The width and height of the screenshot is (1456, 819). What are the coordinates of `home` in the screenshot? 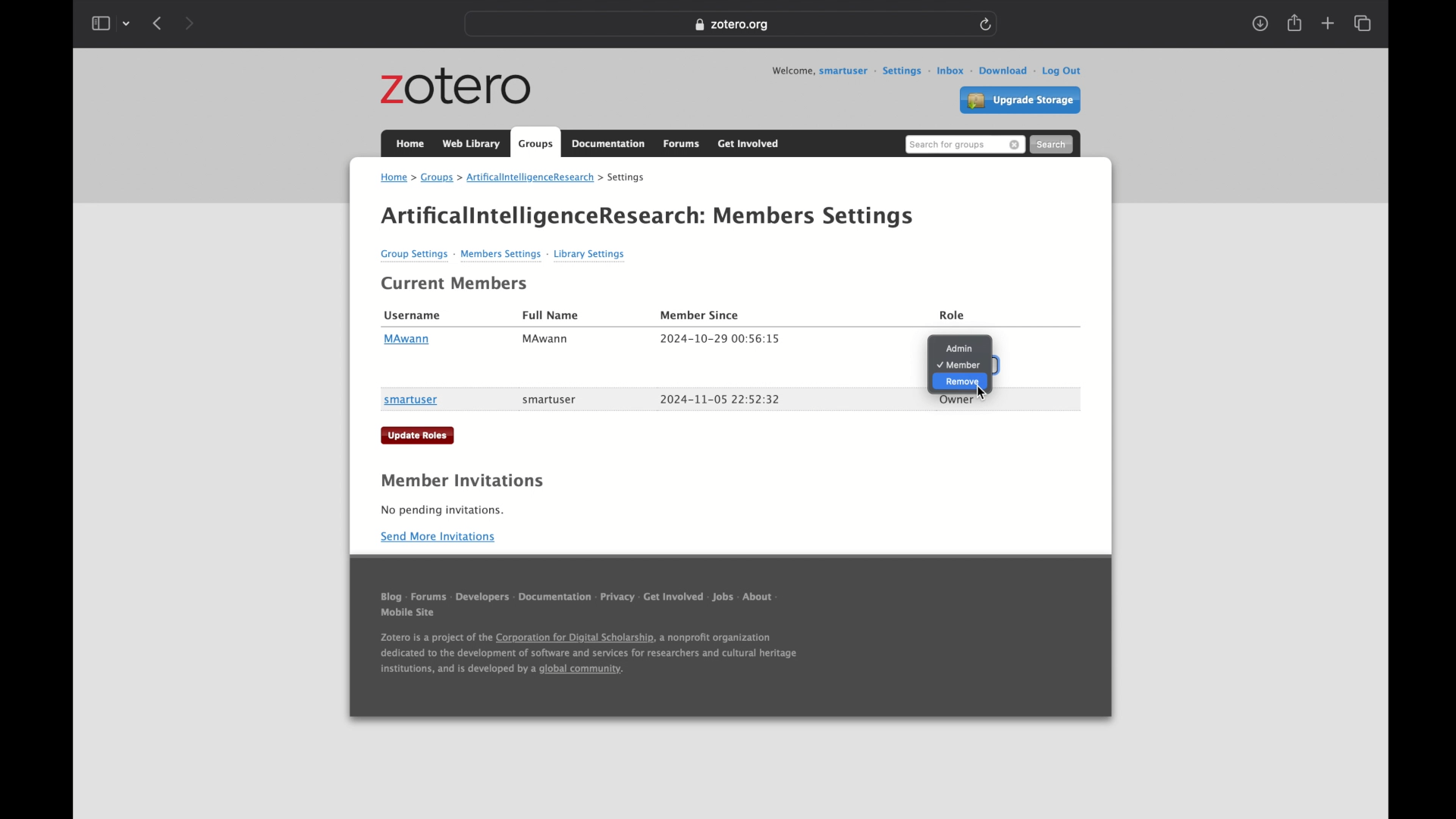 It's located at (397, 179).